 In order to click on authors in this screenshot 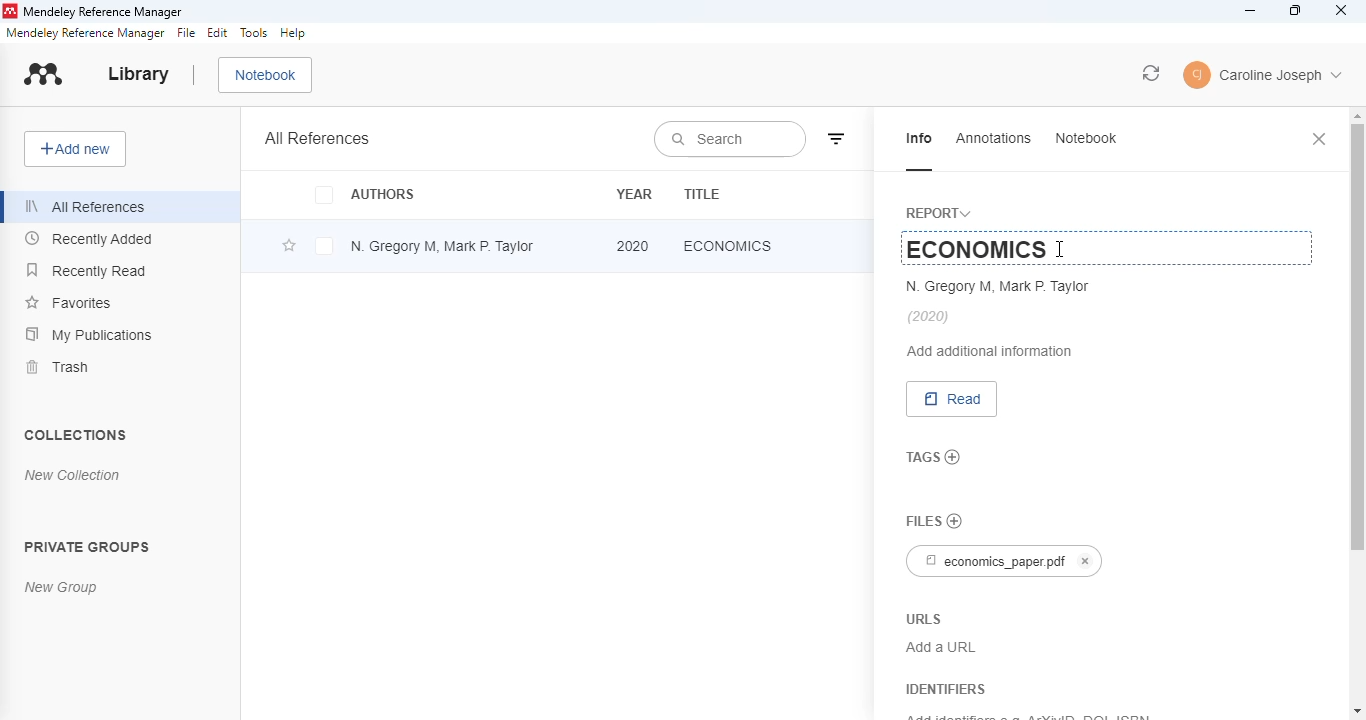, I will do `click(363, 194)`.